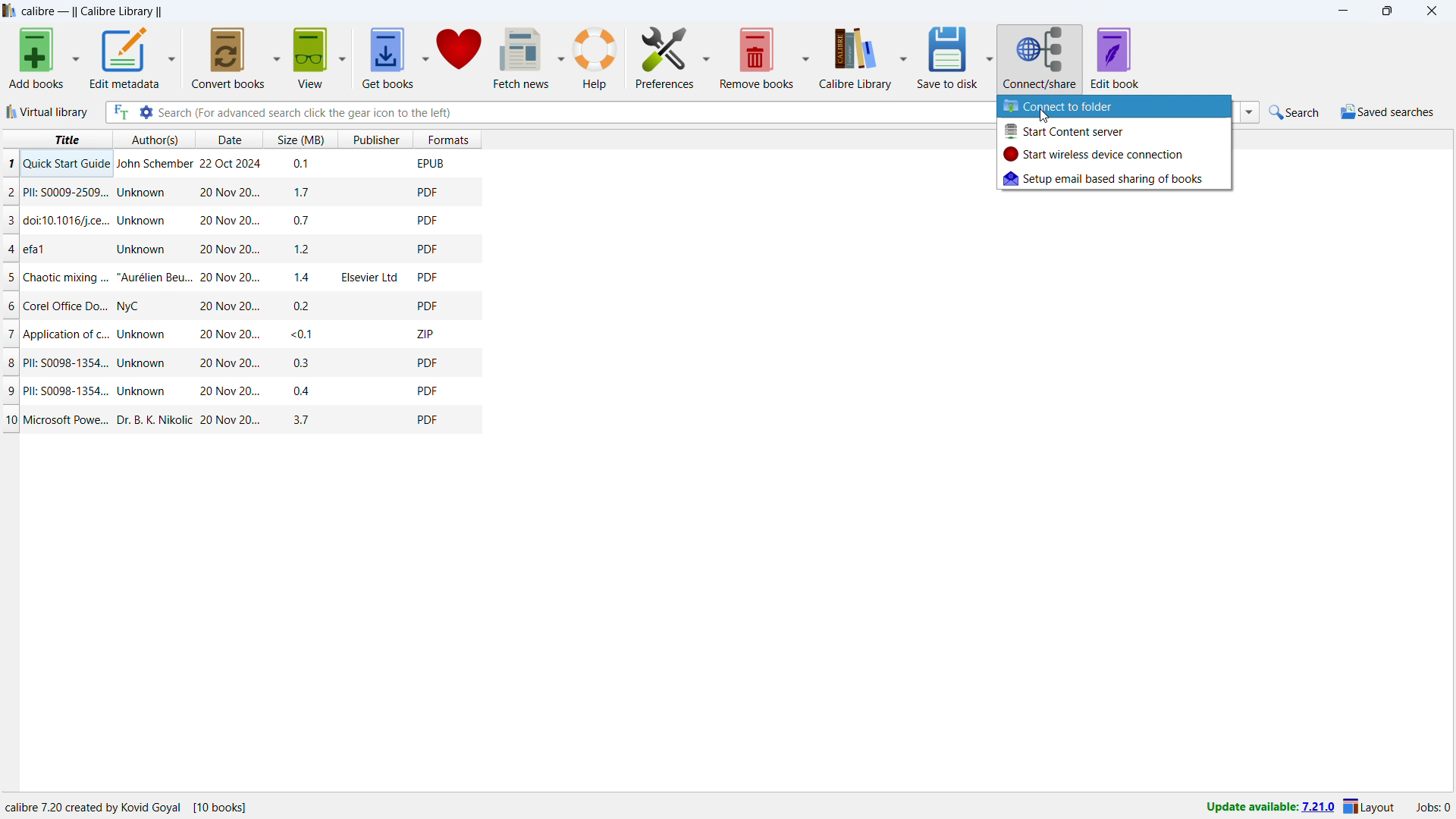 This screenshot has height=819, width=1456. Describe the element at coordinates (239, 278) in the screenshot. I see `one book entry` at that location.